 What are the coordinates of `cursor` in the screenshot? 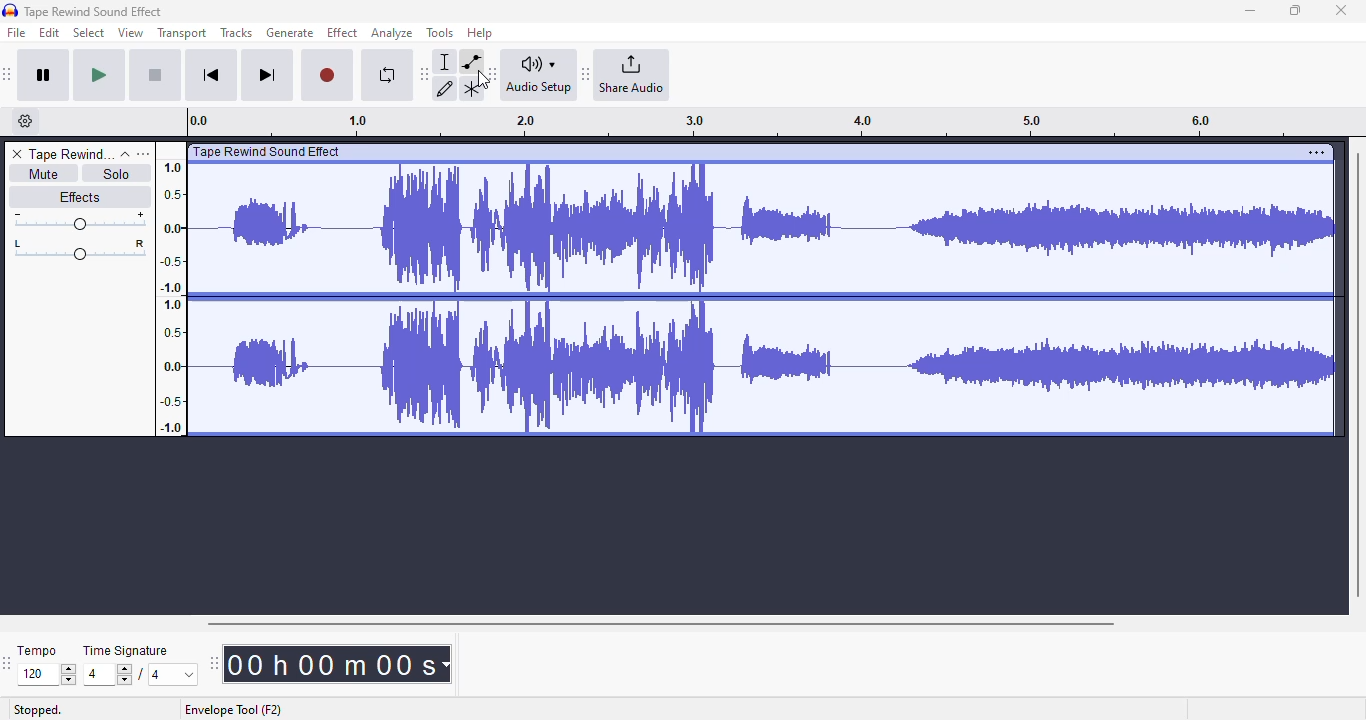 It's located at (484, 80).